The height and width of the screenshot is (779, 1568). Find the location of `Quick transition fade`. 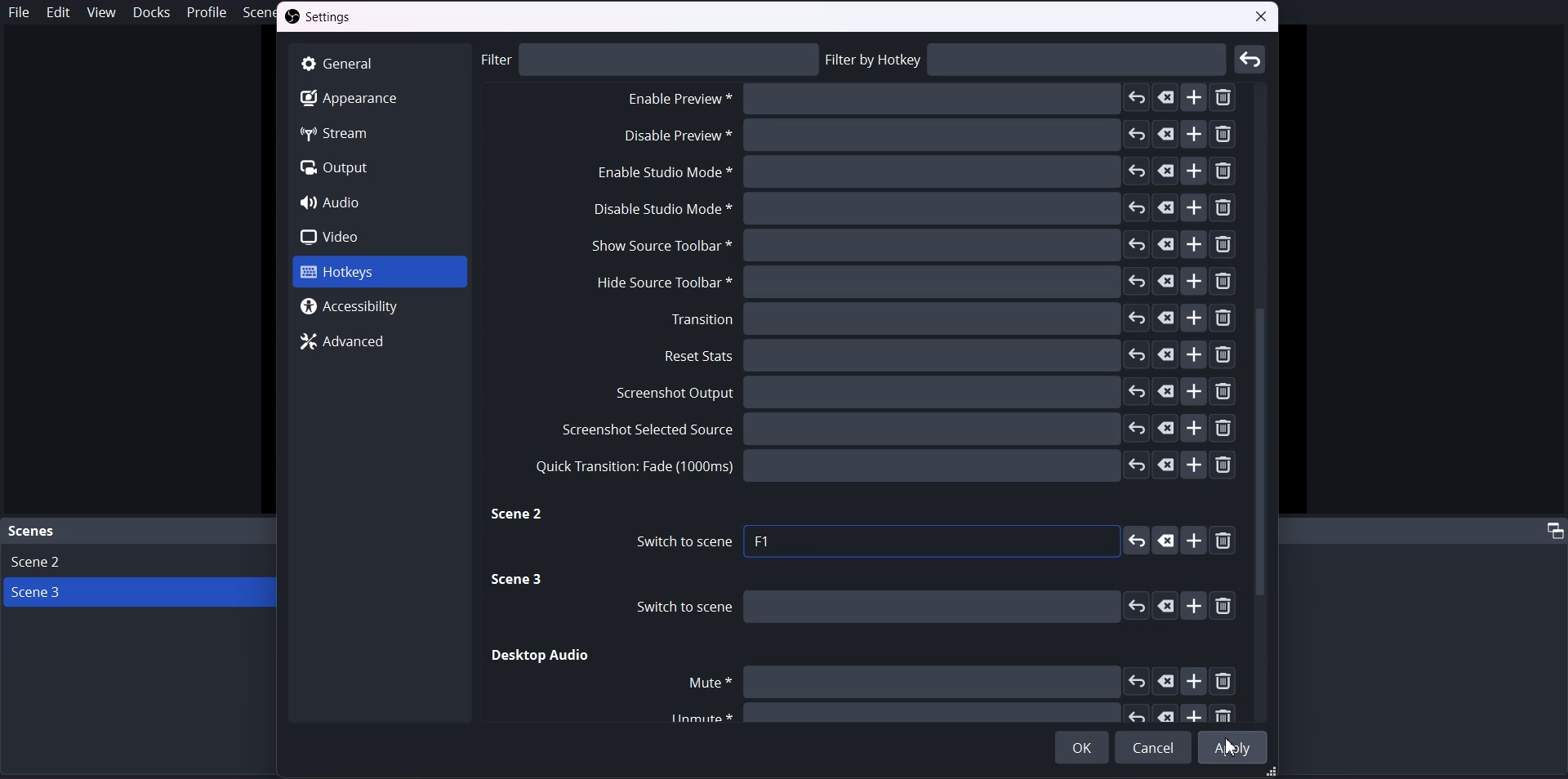

Quick transition fade is located at coordinates (883, 465).